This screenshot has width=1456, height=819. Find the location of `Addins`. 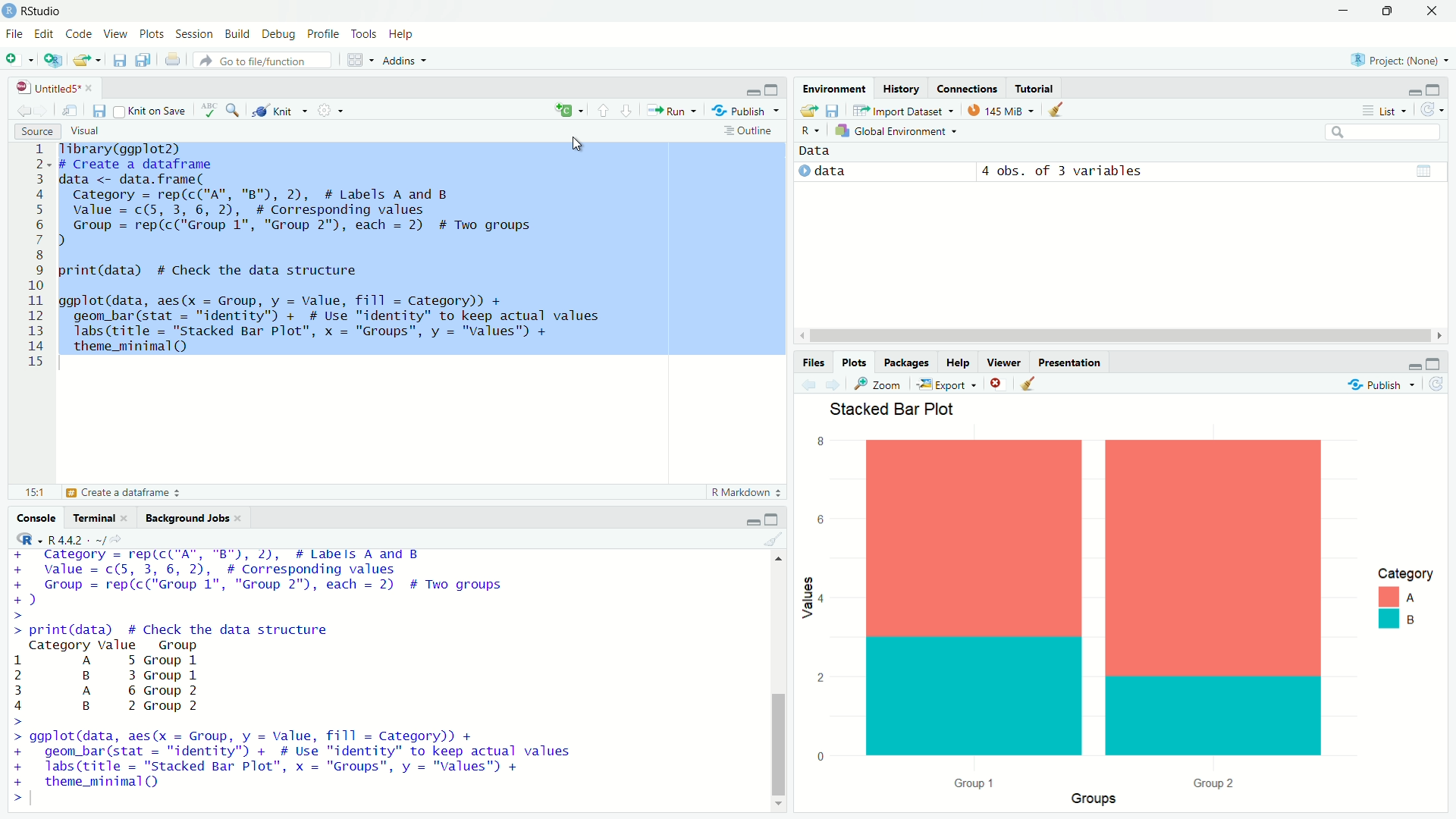

Addins is located at coordinates (408, 62).